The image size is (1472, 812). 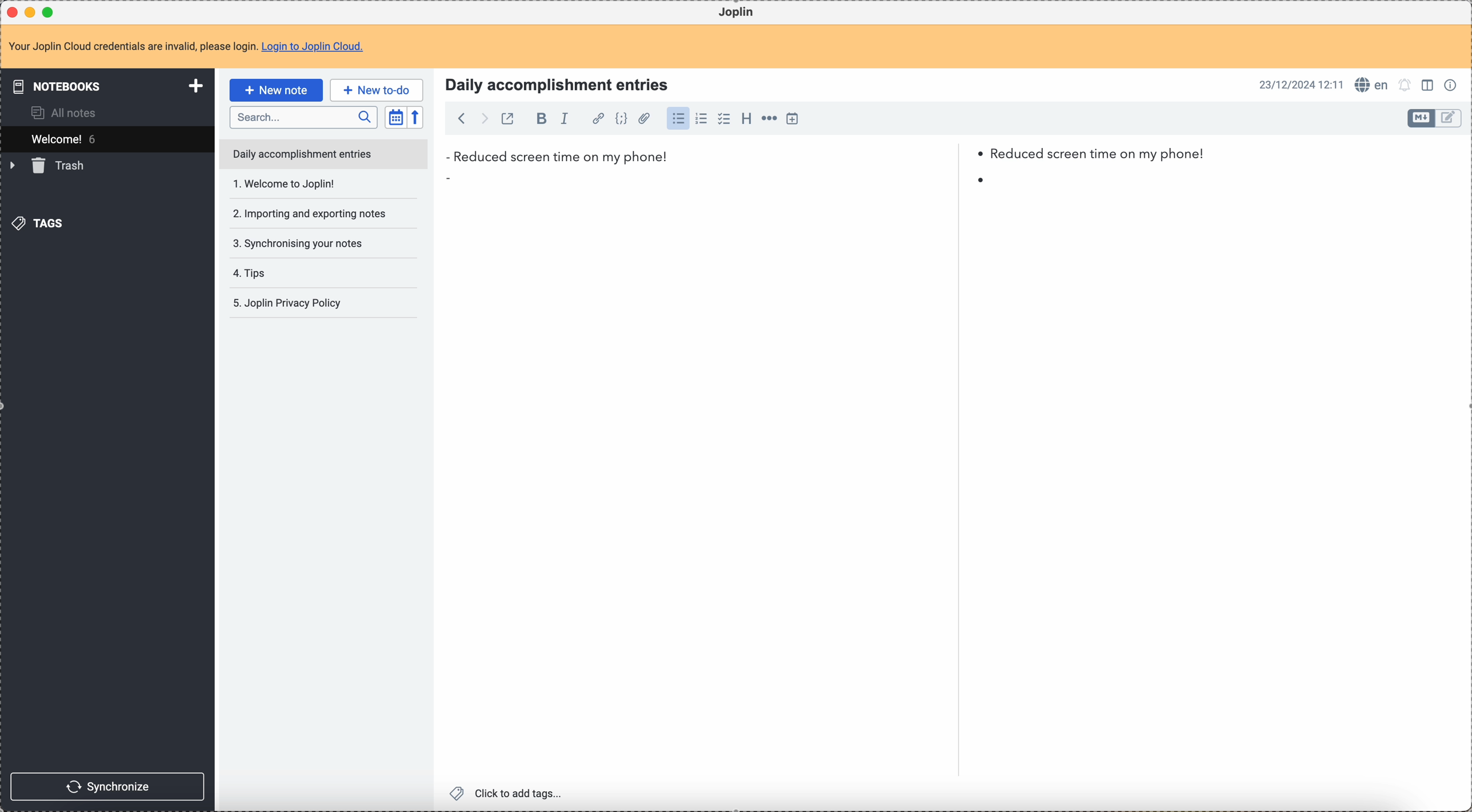 What do you see at coordinates (42, 223) in the screenshot?
I see `tags` at bounding box center [42, 223].